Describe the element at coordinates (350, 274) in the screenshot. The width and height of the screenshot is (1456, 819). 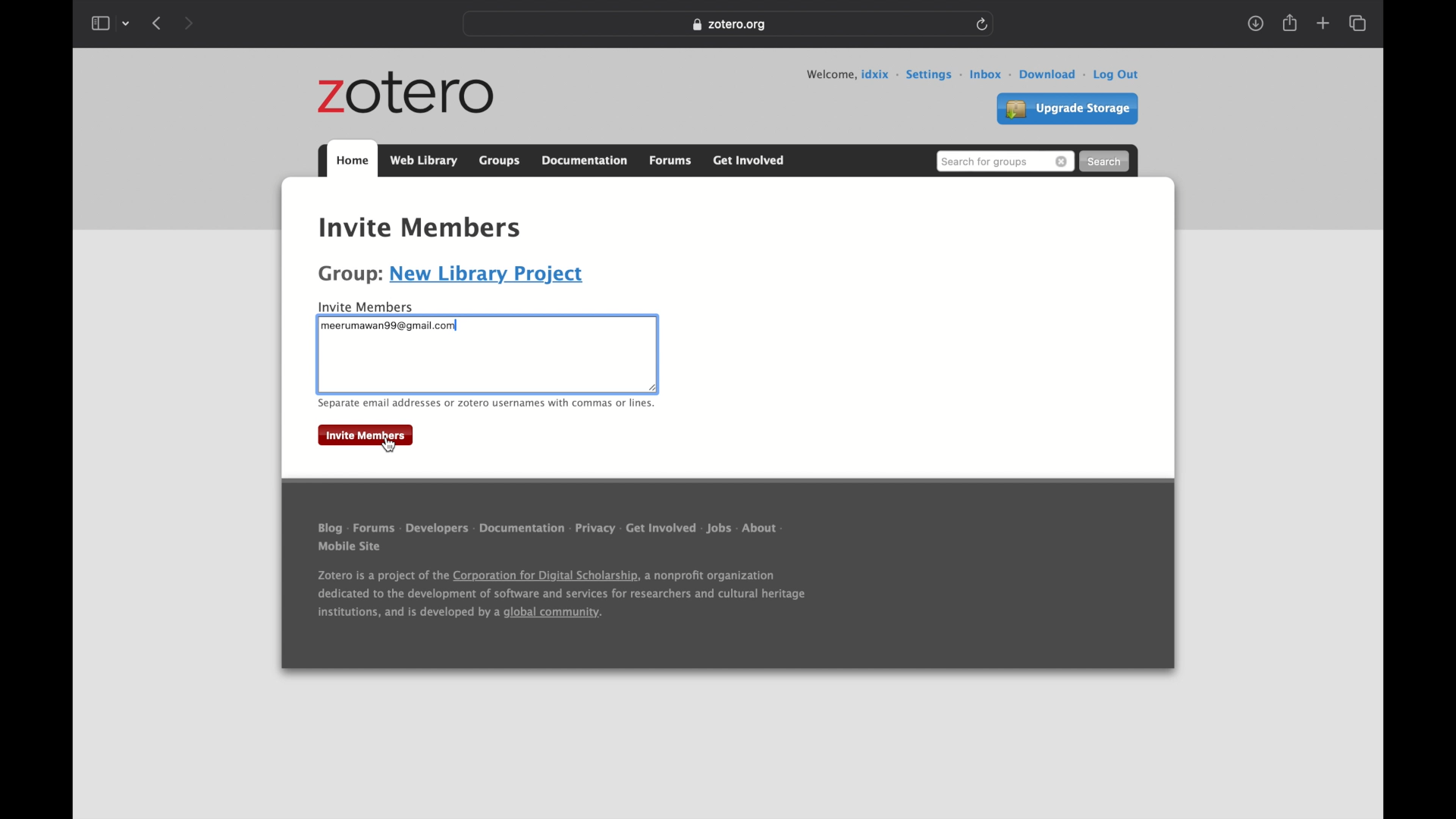
I see `Group:` at that location.